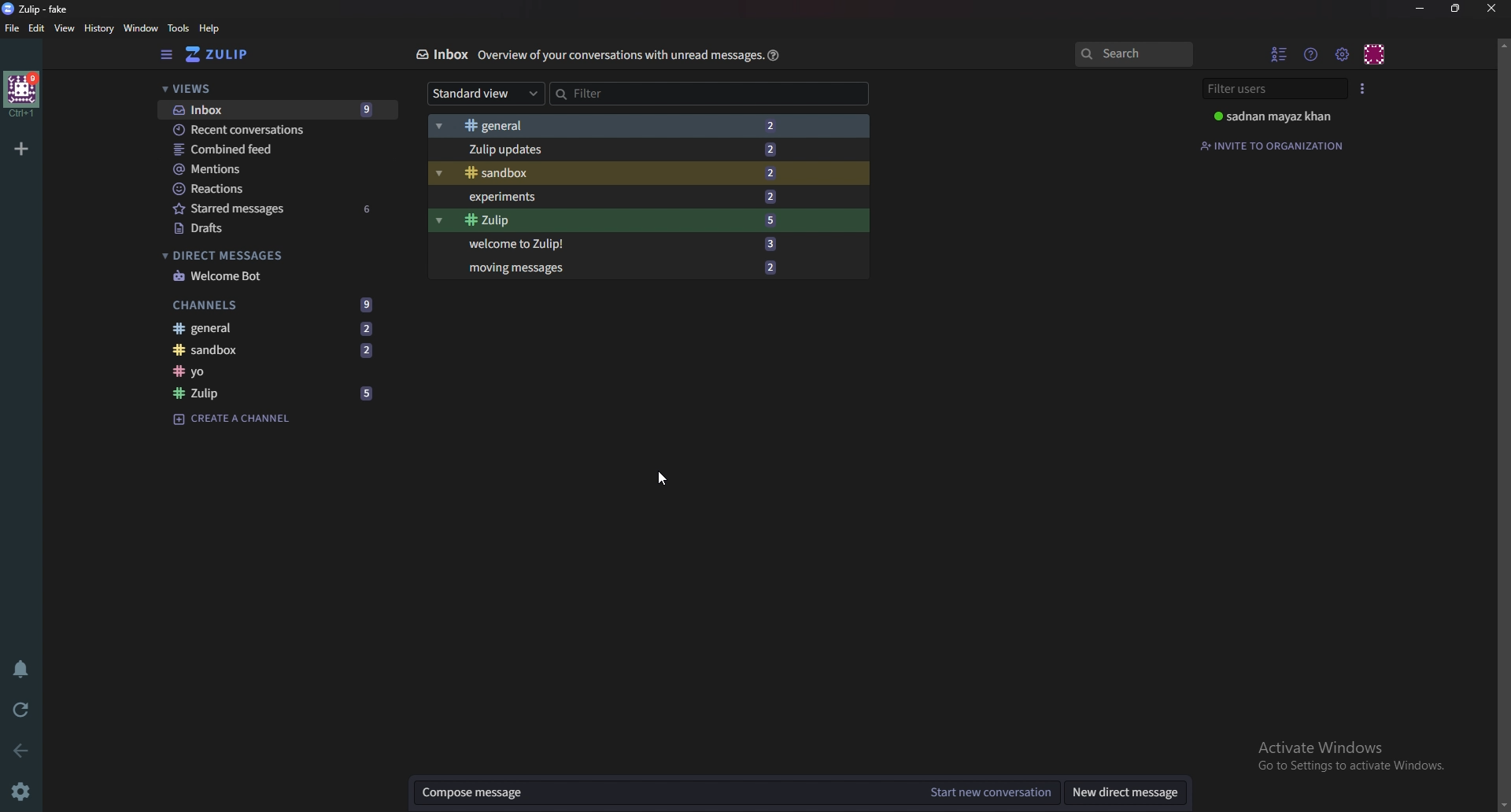  What do you see at coordinates (275, 275) in the screenshot?
I see `welcome bot` at bounding box center [275, 275].